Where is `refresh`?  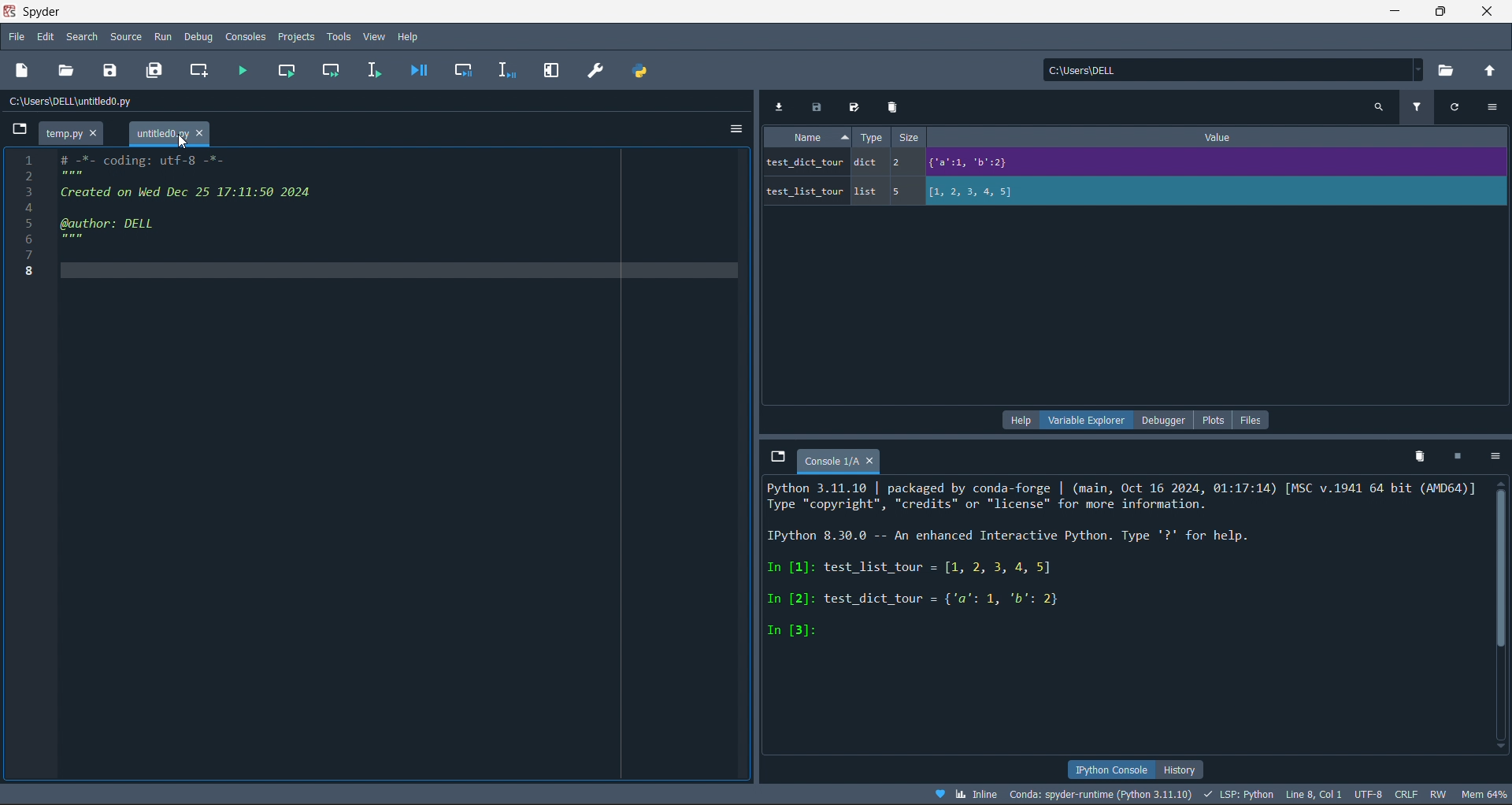 refresh is located at coordinates (1462, 109).